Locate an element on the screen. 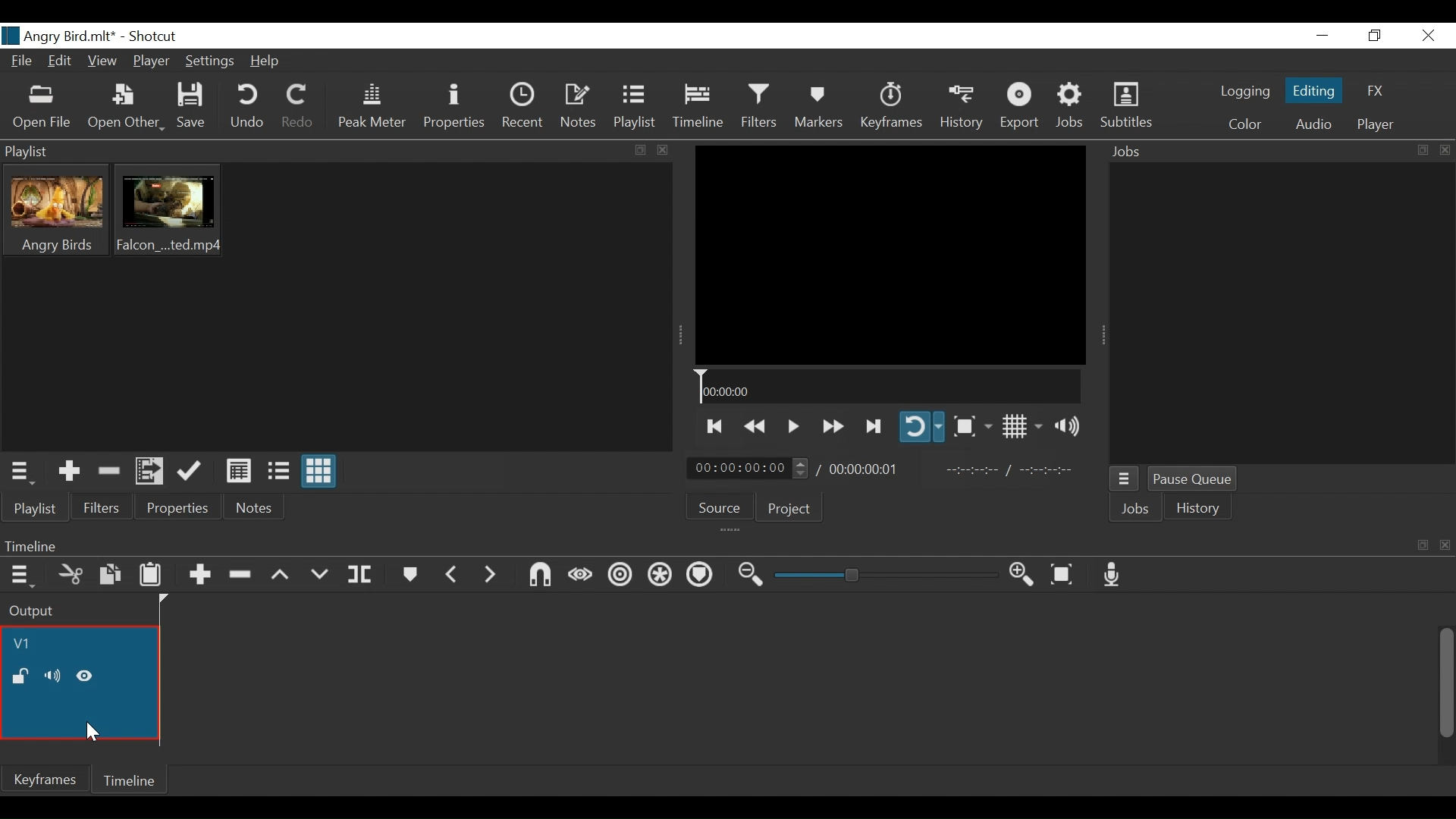 The height and width of the screenshot is (819, 1456). Next marker is located at coordinates (492, 576).